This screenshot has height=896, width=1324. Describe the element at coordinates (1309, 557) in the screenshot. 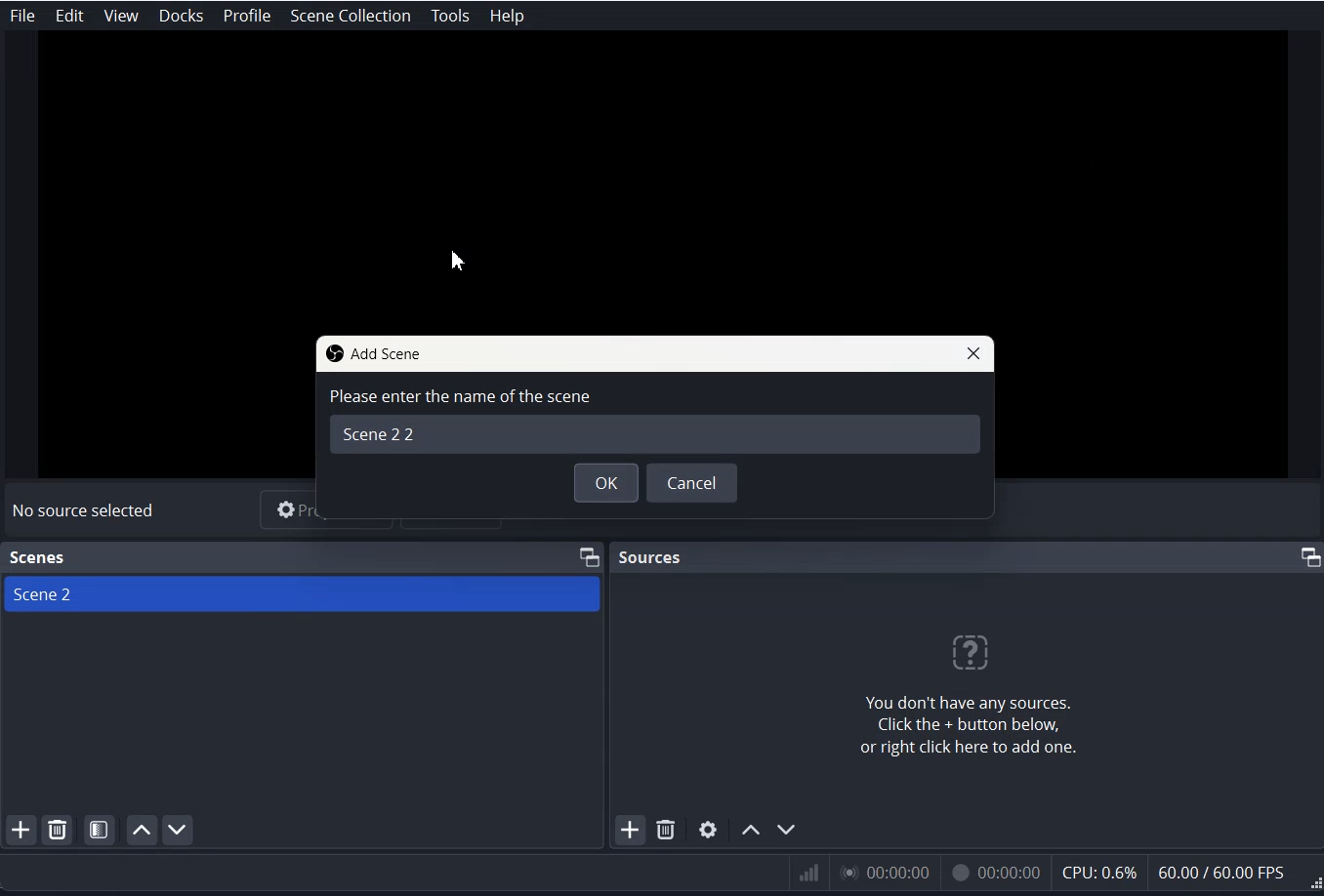

I see `Maximize` at that location.